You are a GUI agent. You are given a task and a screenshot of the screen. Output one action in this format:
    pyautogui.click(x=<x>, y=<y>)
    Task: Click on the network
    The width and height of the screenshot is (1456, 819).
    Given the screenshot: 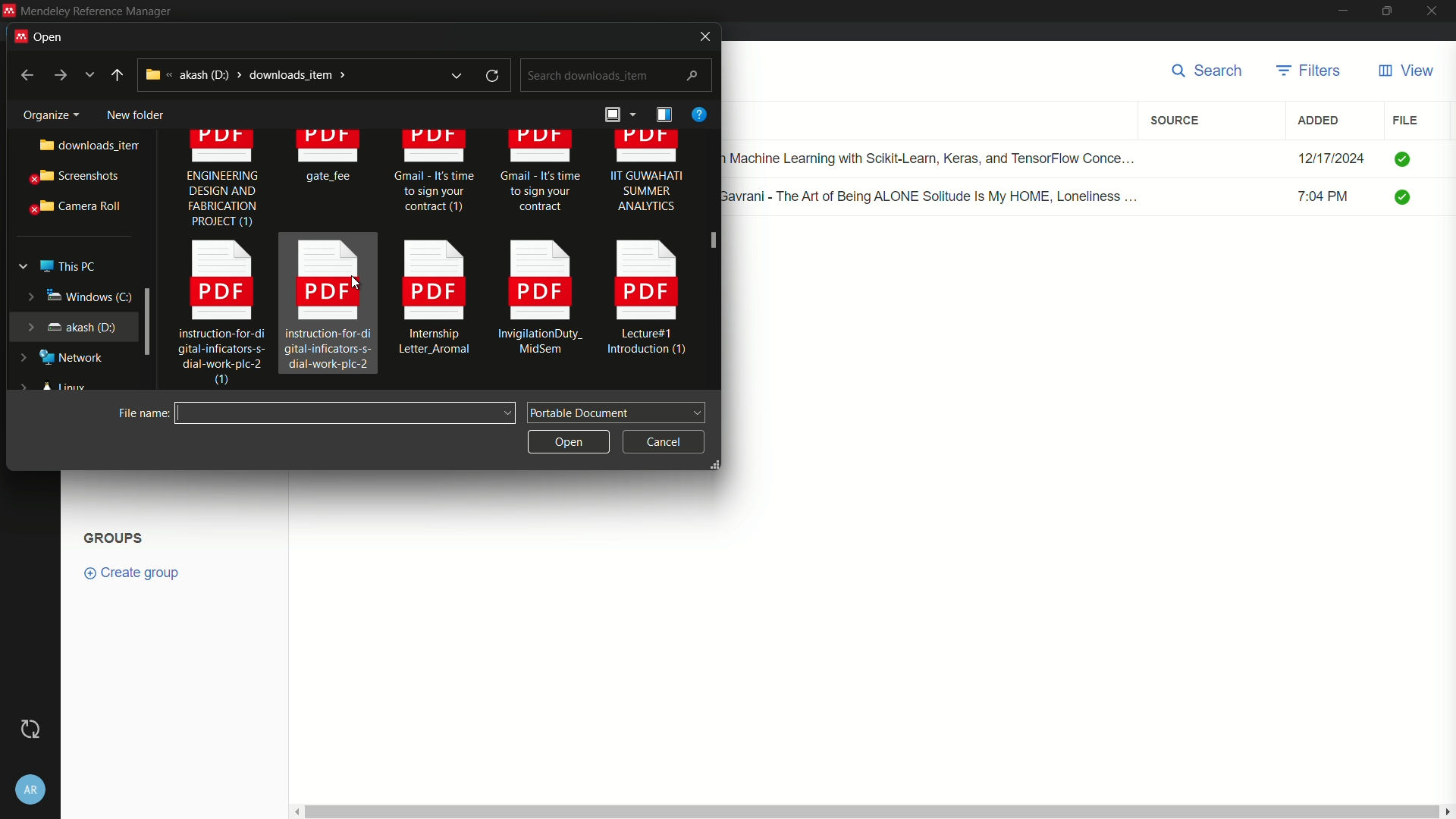 What is the action you would take?
    pyautogui.click(x=64, y=358)
    